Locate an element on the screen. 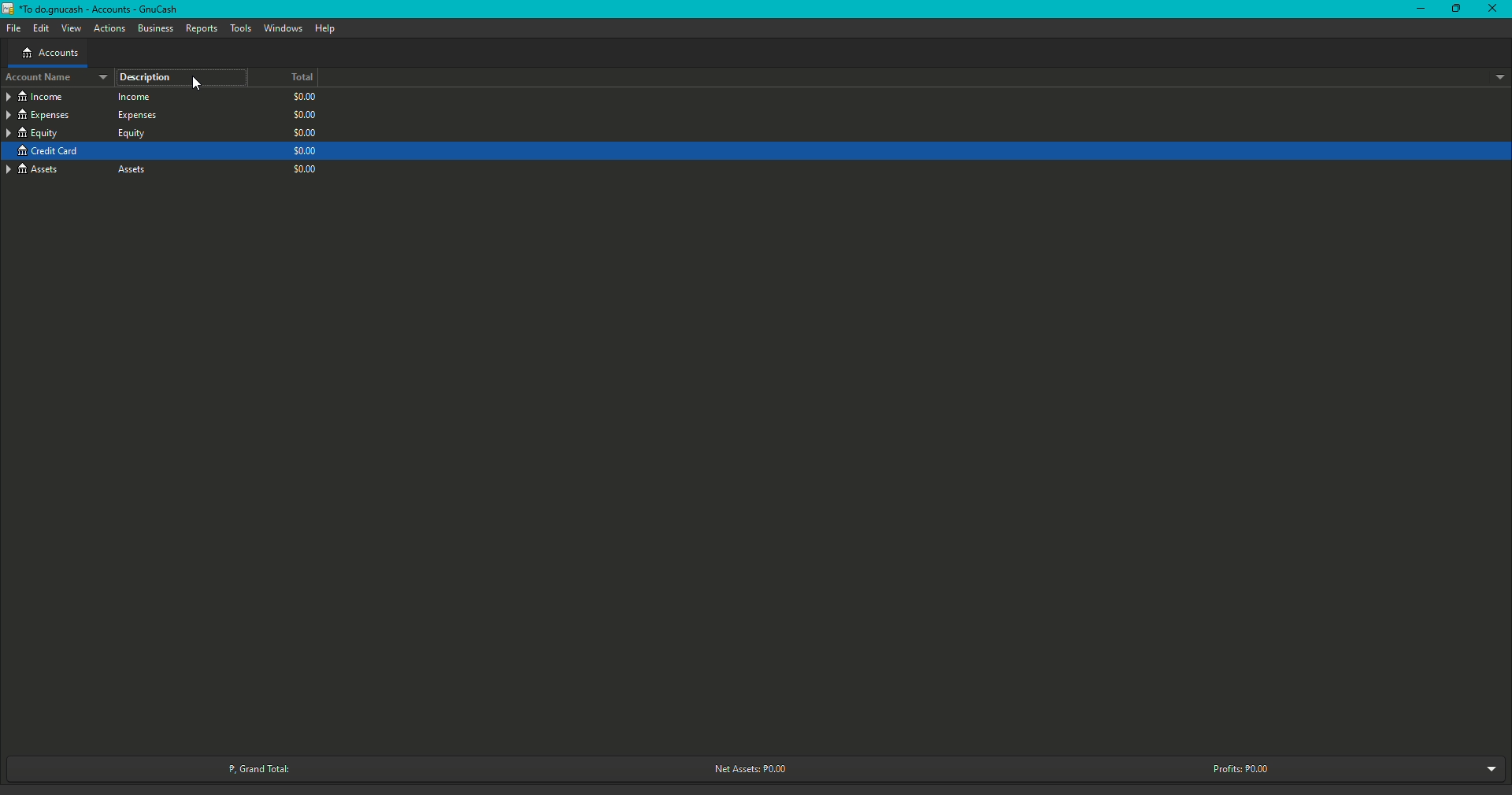 The width and height of the screenshot is (1512, 795). Credit Card is located at coordinates (82, 115).